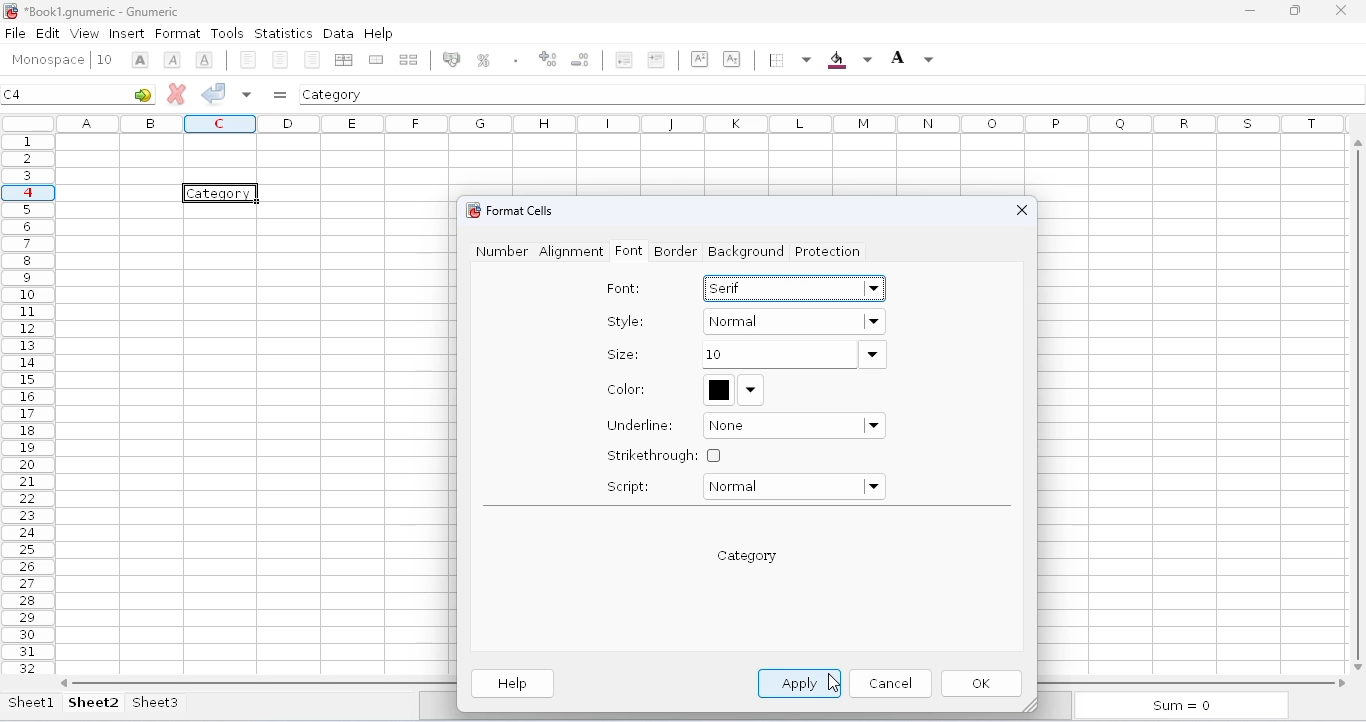 Image resolution: width=1366 pixels, height=722 pixels. I want to click on edit, so click(48, 32).